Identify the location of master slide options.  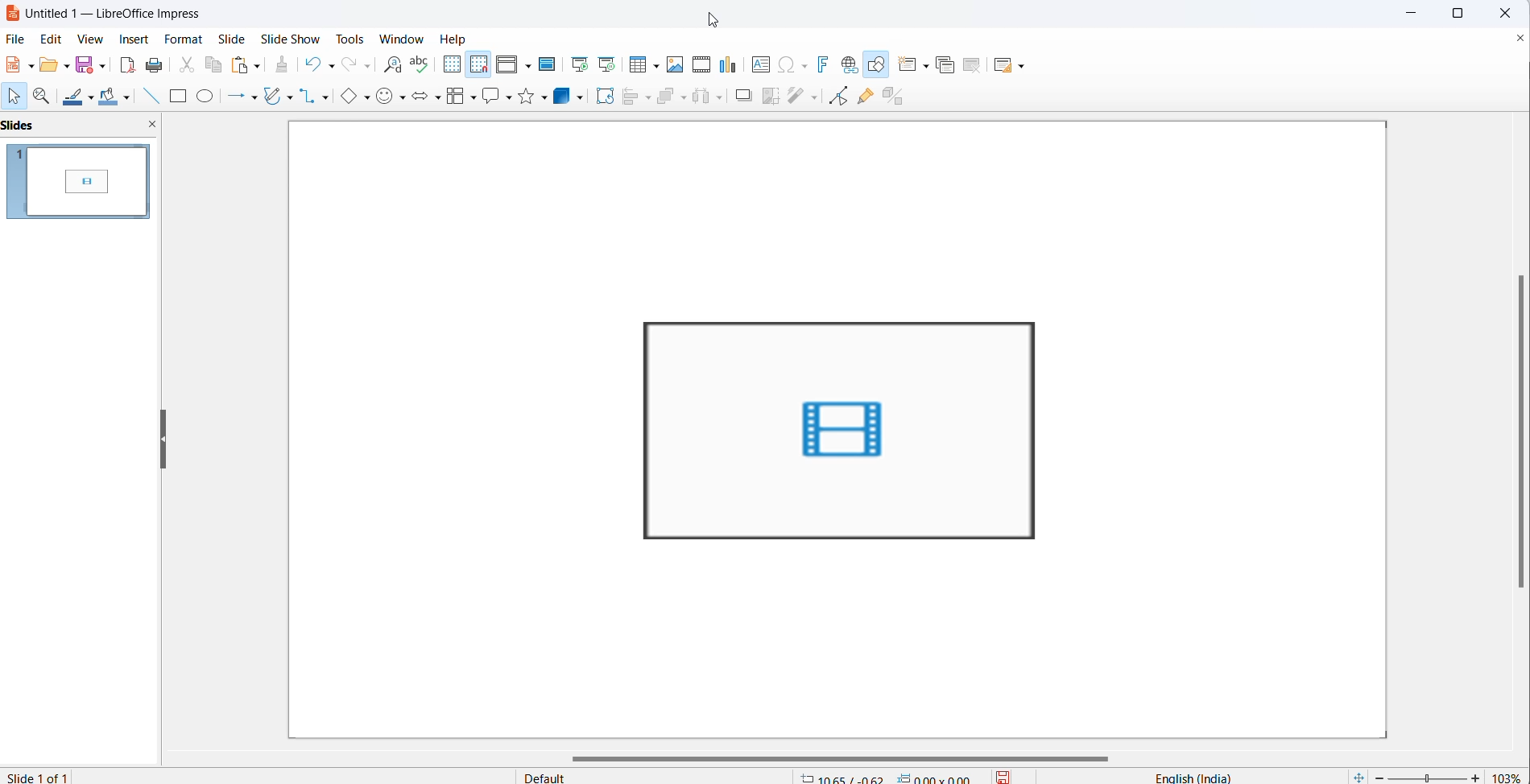
(548, 64).